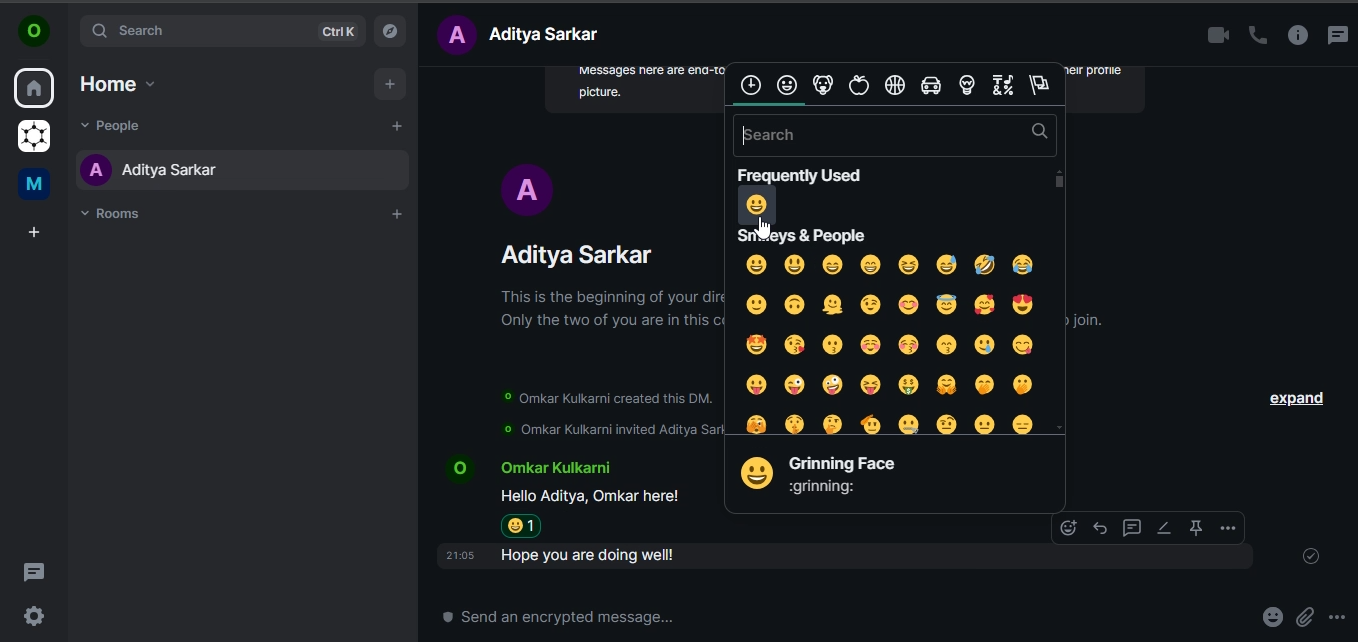 The height and width of the screenshot is (642, 1358). What do you see at coordinates (581, 255) in the screenshot?
I see `Aditya Sarkar` at bounding box center [581, 255].